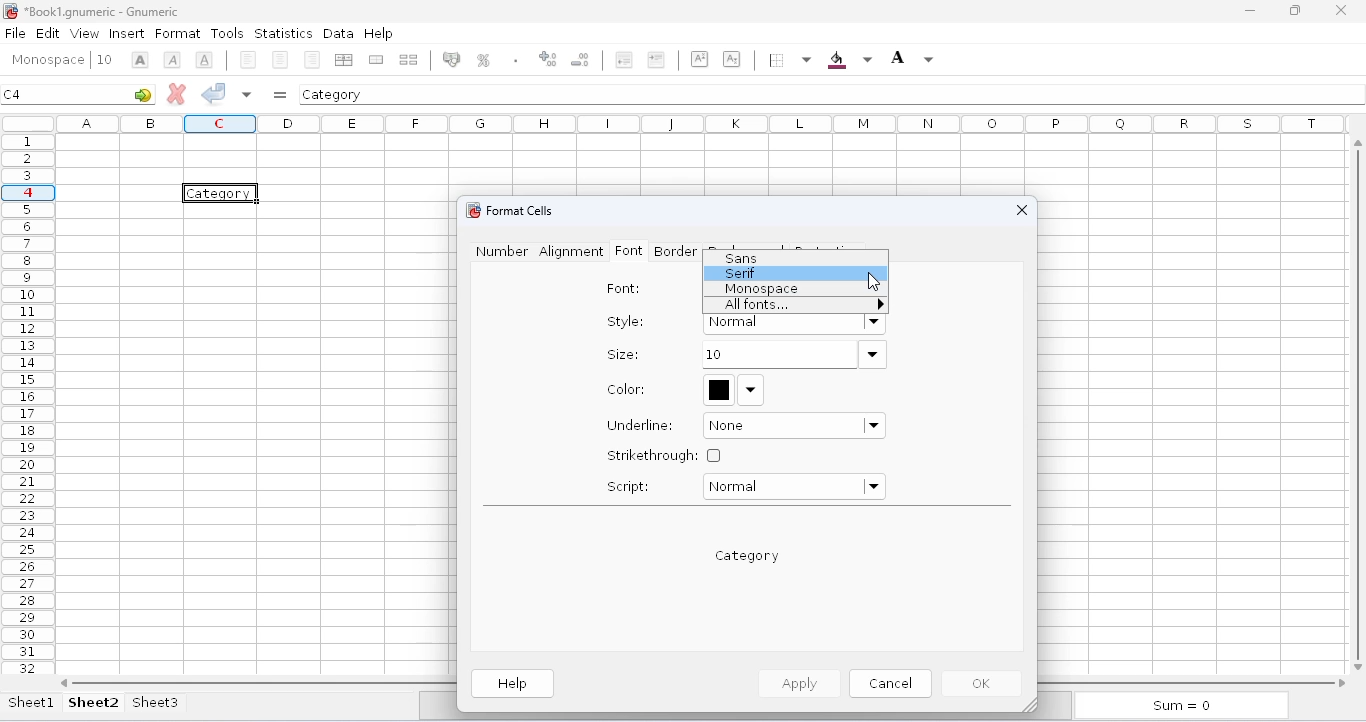 Image resolution: width=1366 pixels, height=722 pixels. I want to click on category, so click(333, 94).